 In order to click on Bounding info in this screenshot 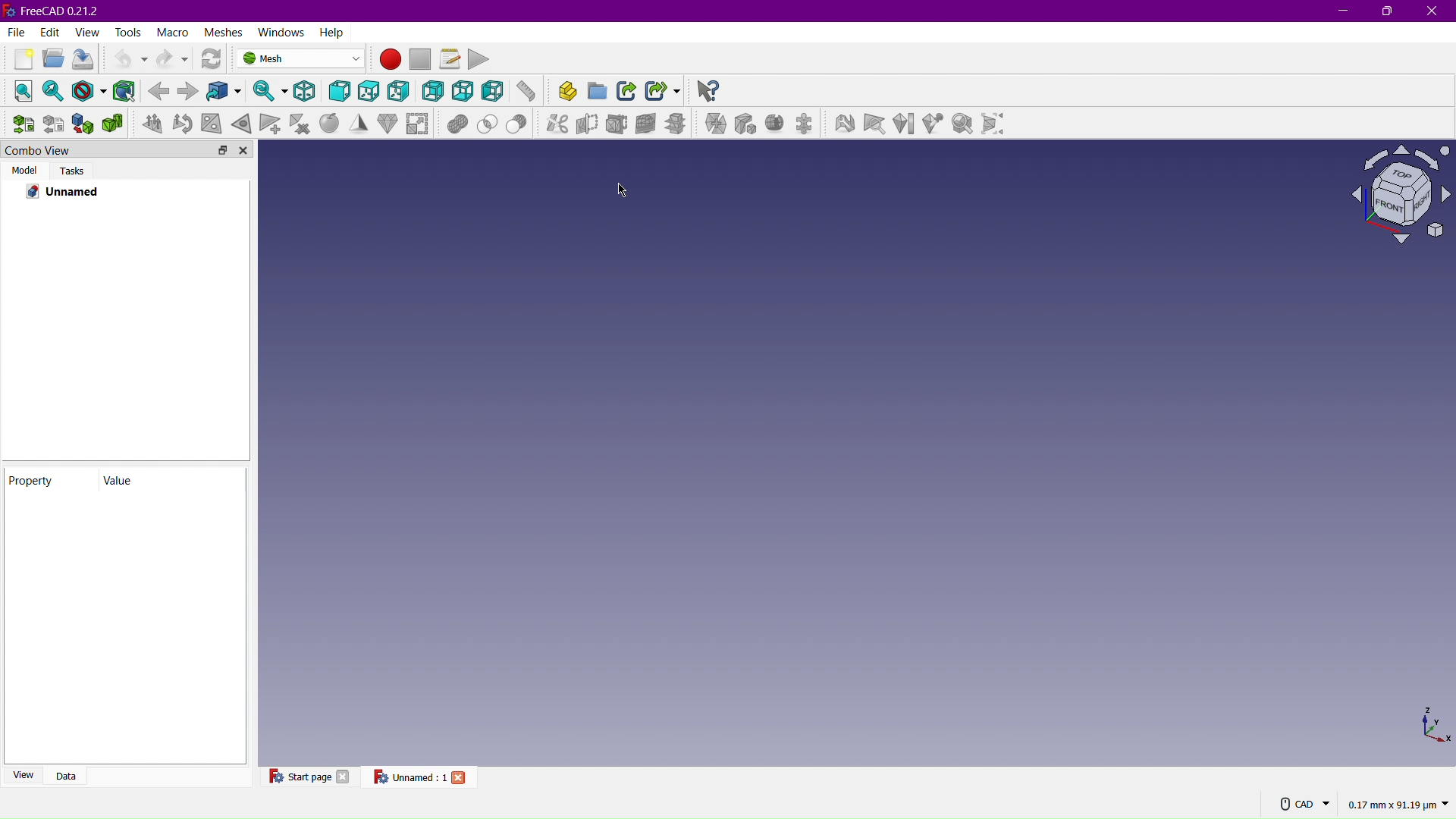, I will do `click(996, 128)`.